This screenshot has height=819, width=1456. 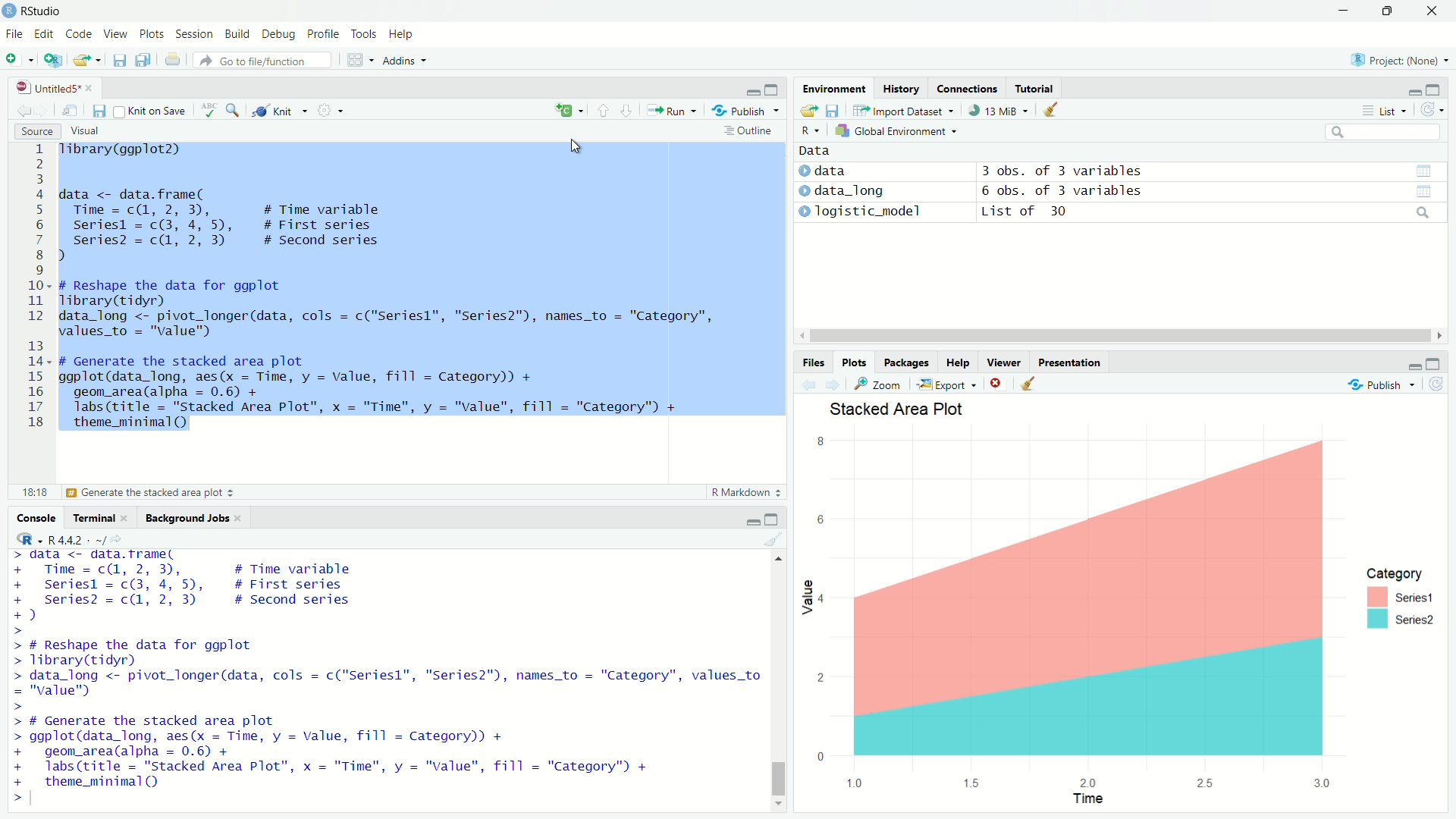 I want to click on - Publish, so click(x=742, y=111).